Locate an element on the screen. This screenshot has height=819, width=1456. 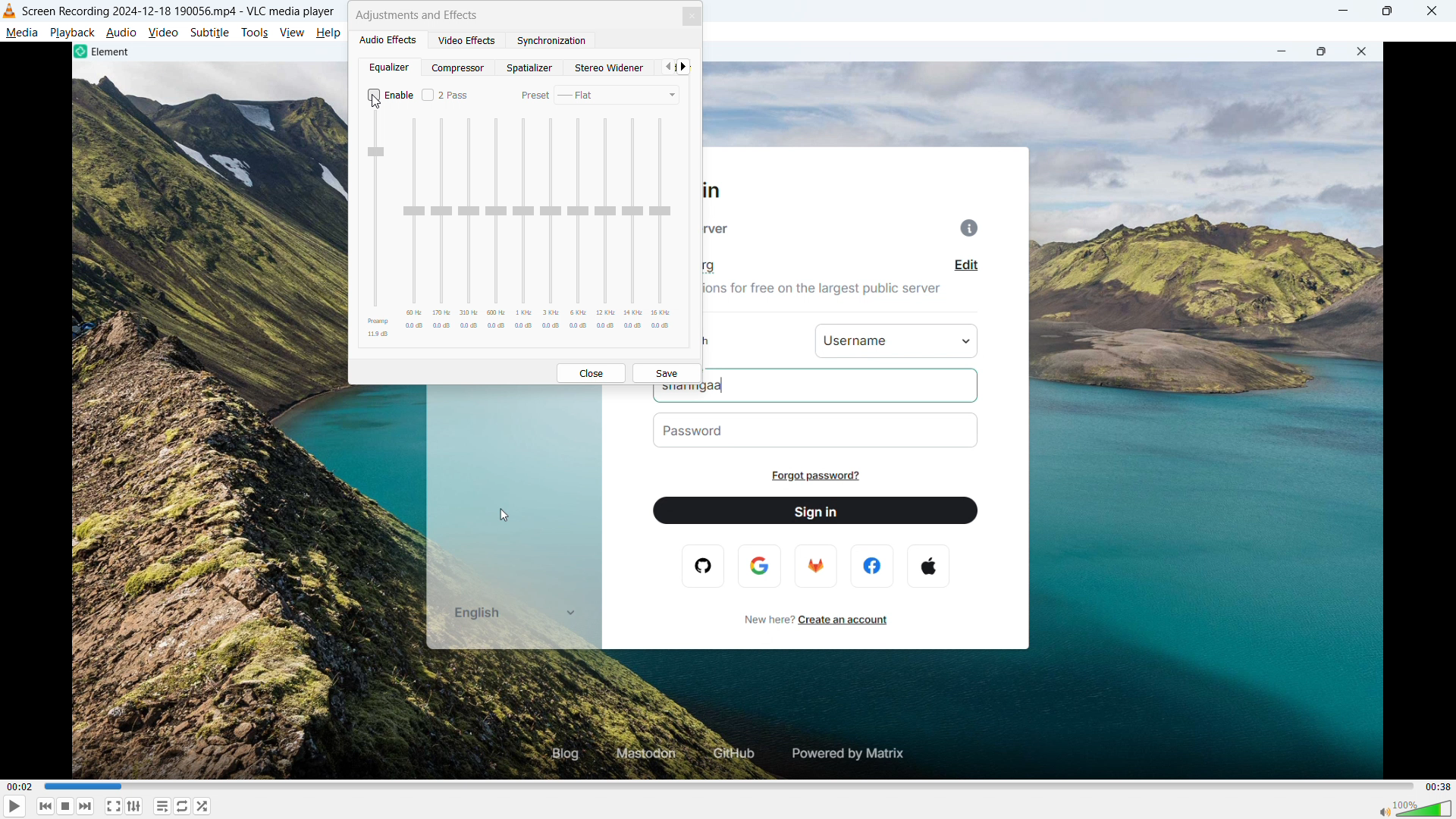
Tools  is located at coordinates (254, 33).